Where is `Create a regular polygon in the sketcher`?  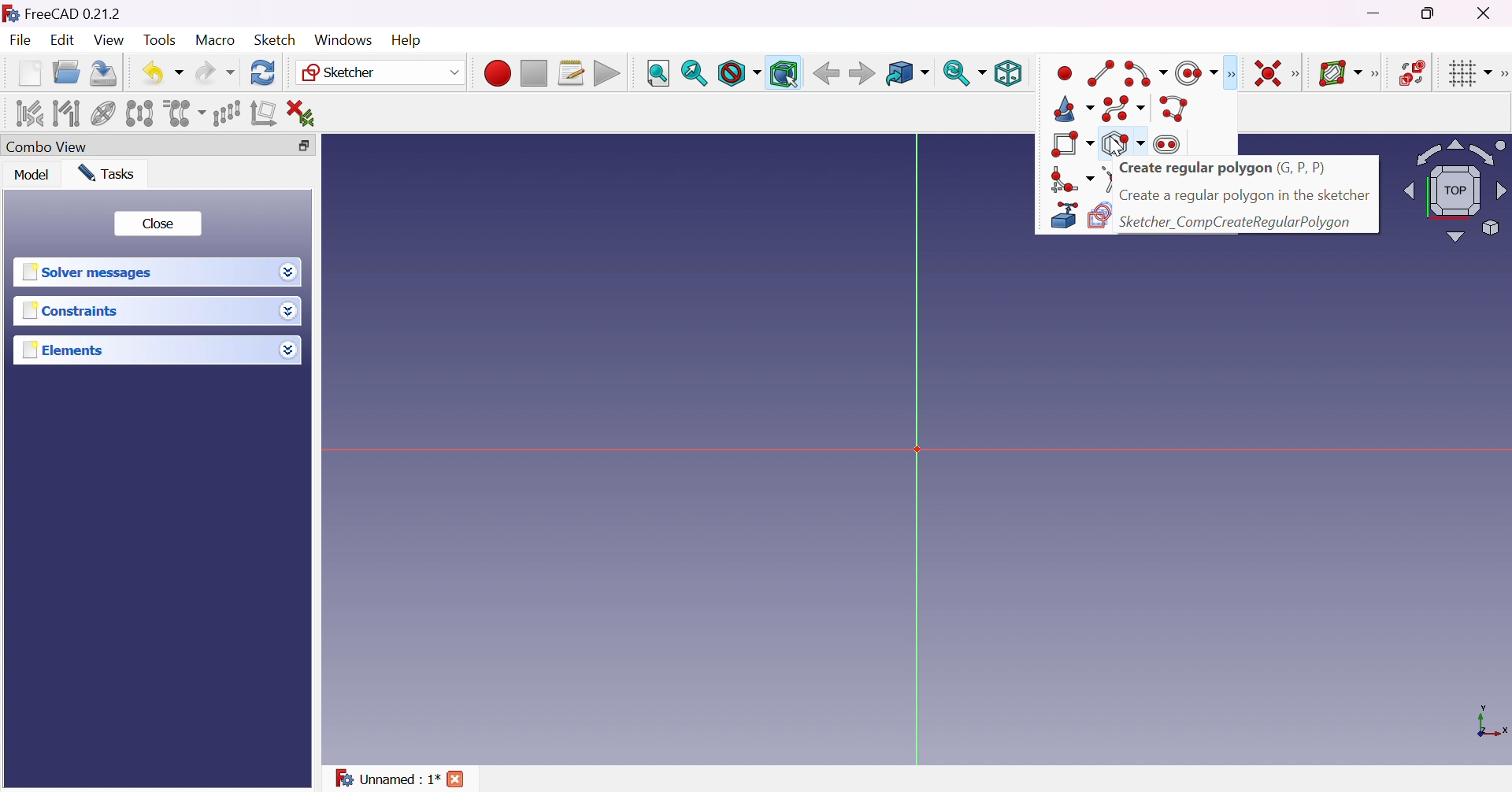 Create a regular polygon in the sketcher is located at coordinates (1246, 195).